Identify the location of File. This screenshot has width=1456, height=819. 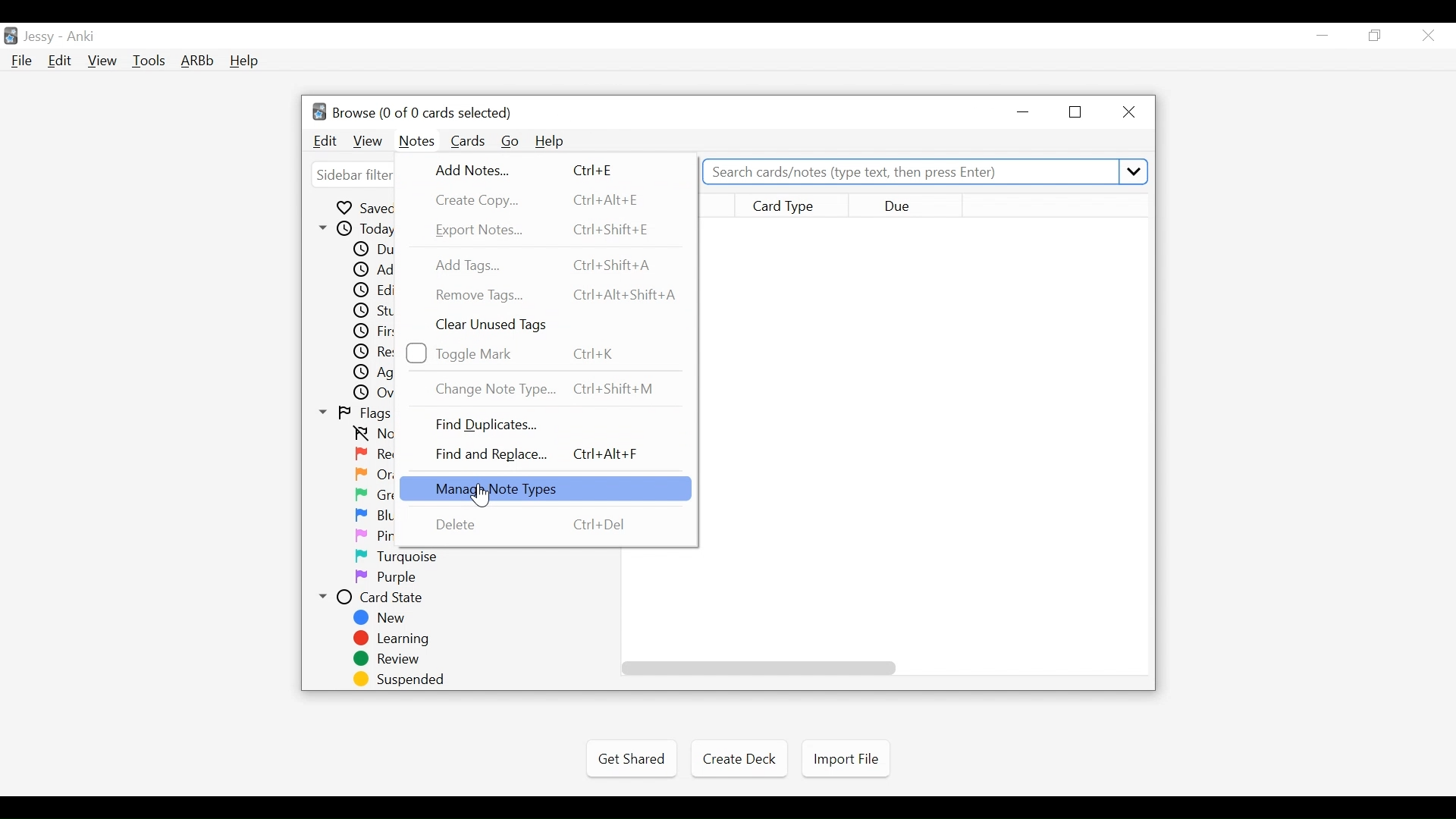
(22, 62).